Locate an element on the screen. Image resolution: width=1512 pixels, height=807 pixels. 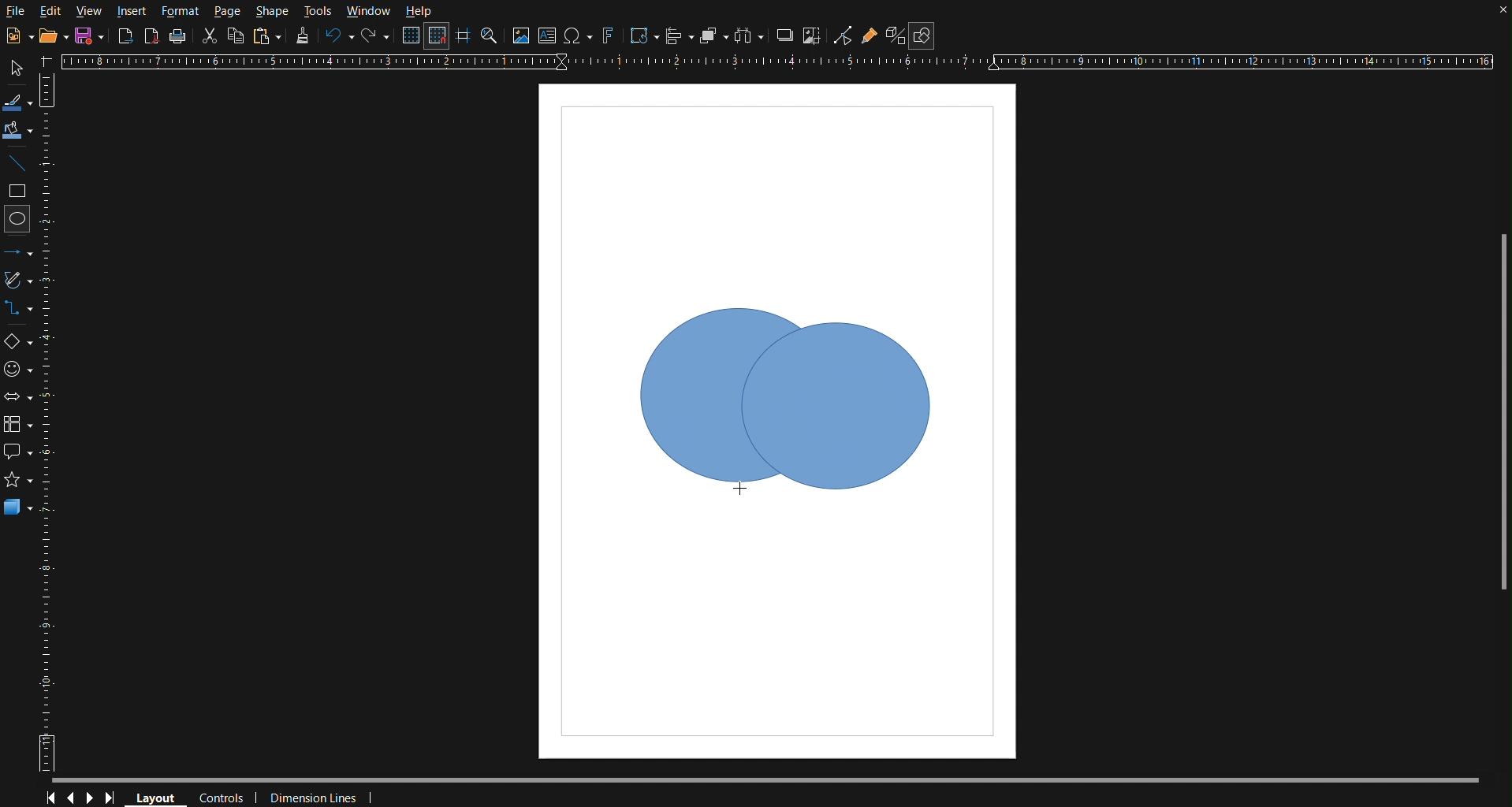
Flowchart is located at coordinates (18, 426).